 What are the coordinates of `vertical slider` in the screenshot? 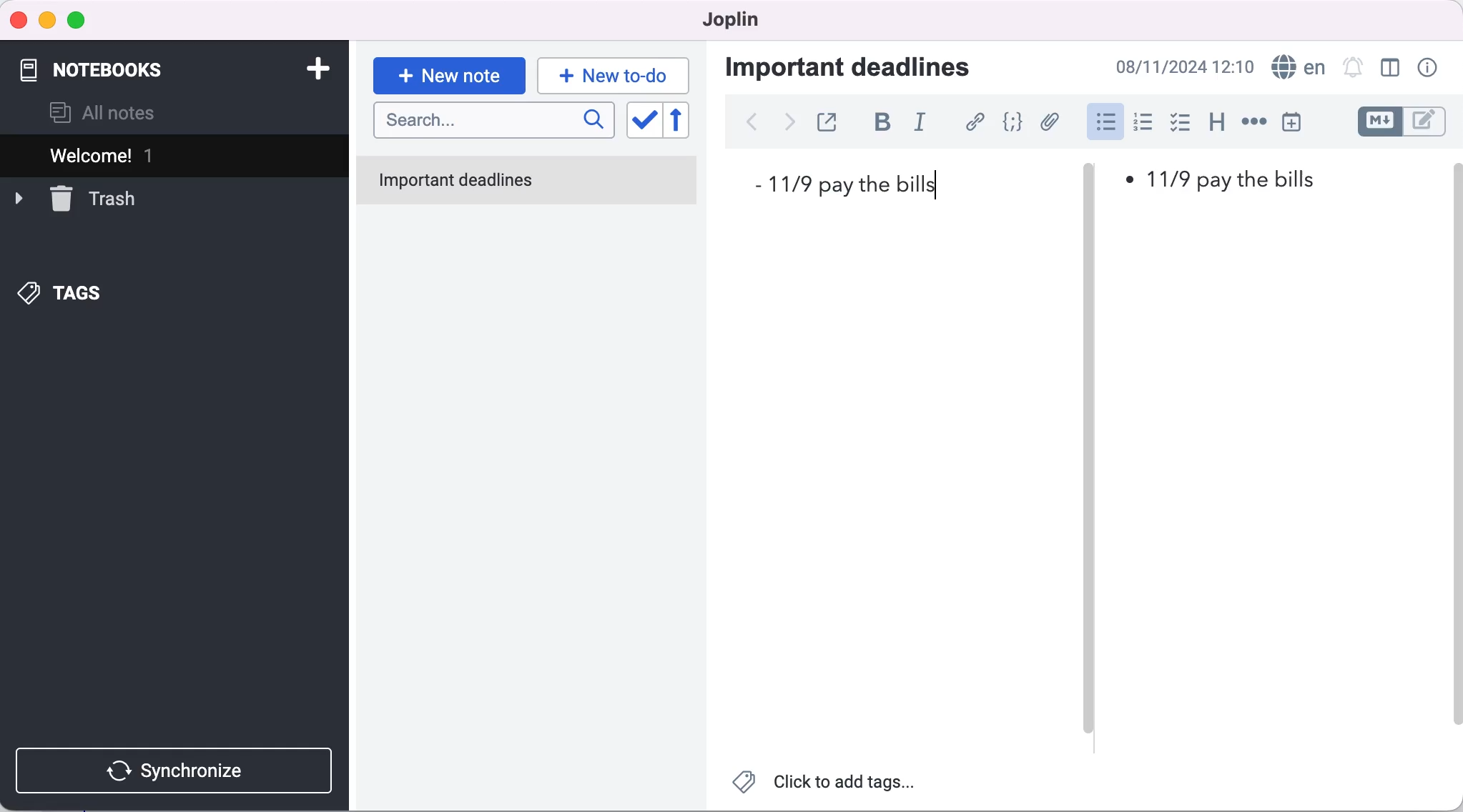 It's located at (1094, 457).